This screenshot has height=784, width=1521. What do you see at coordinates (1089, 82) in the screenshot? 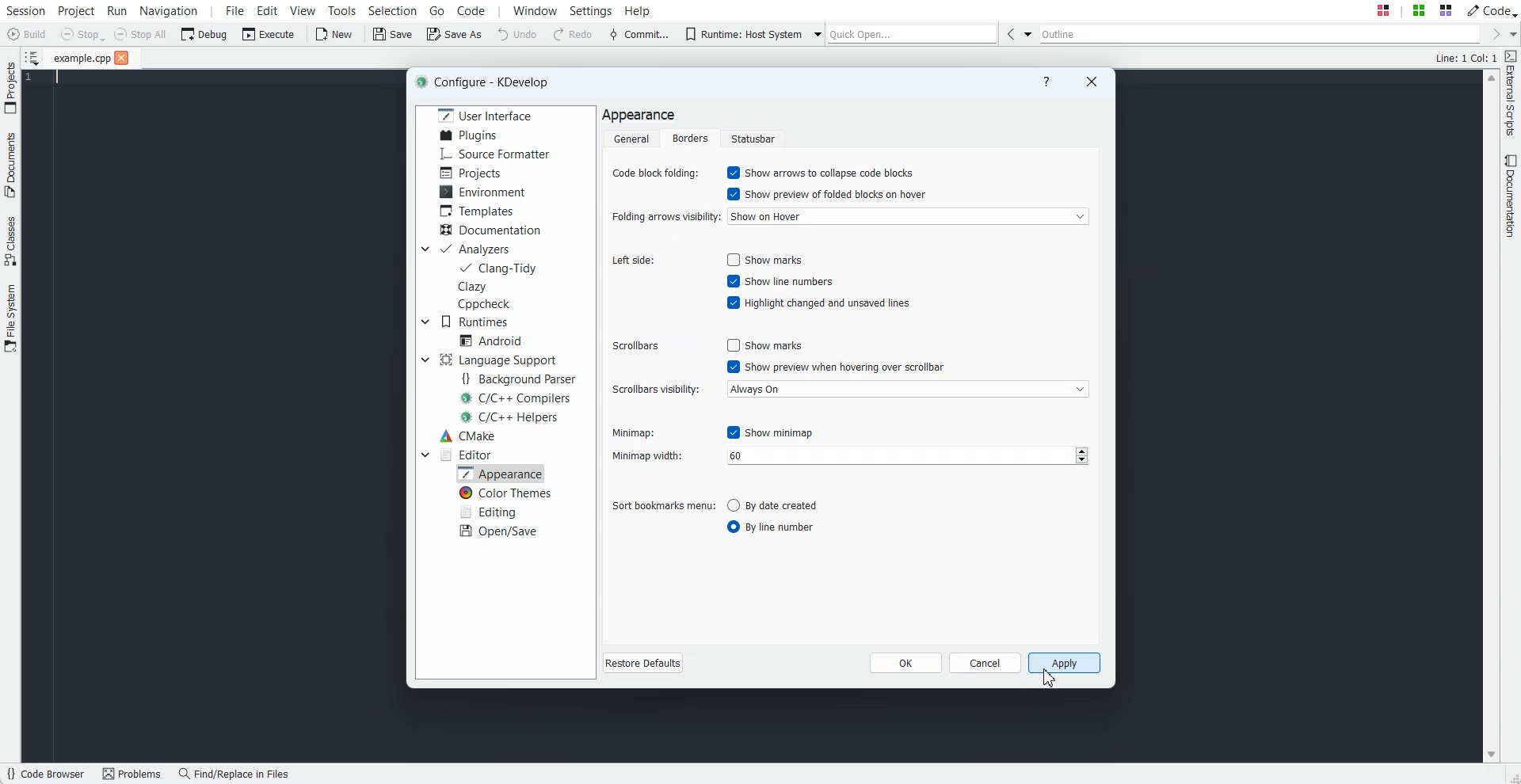
I see `Close` at bounding box center [1089, 82].